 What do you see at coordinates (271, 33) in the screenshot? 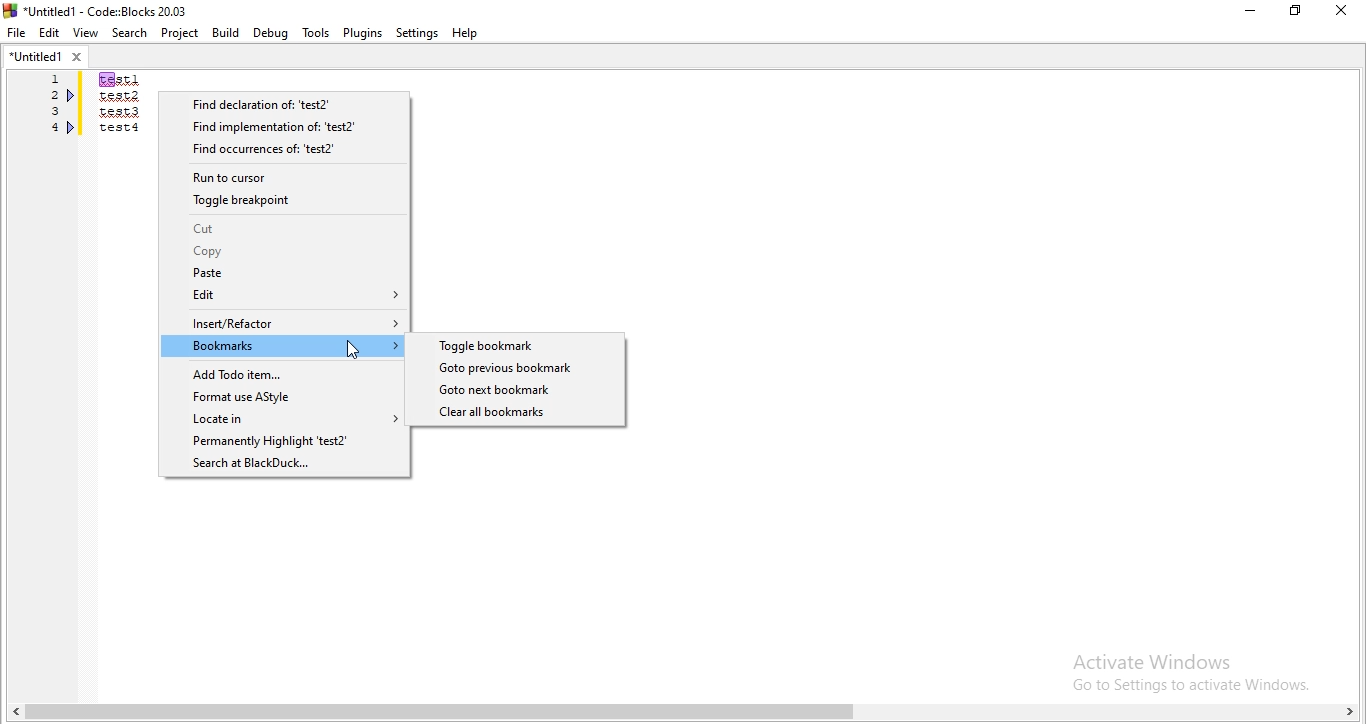
I see `Debug ` at bounding box center [271, 33].